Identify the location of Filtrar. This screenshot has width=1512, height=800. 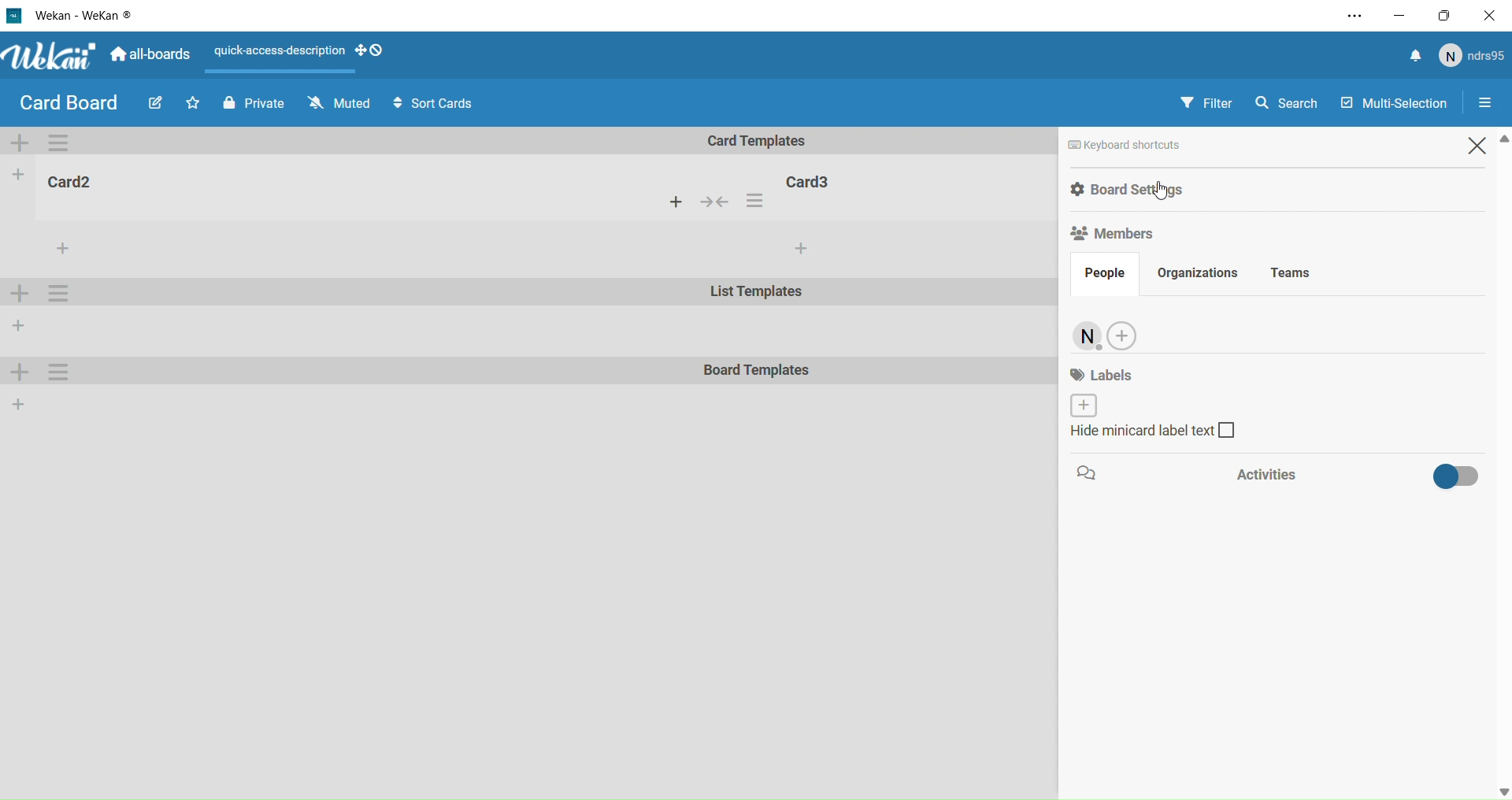
(1208, 102).